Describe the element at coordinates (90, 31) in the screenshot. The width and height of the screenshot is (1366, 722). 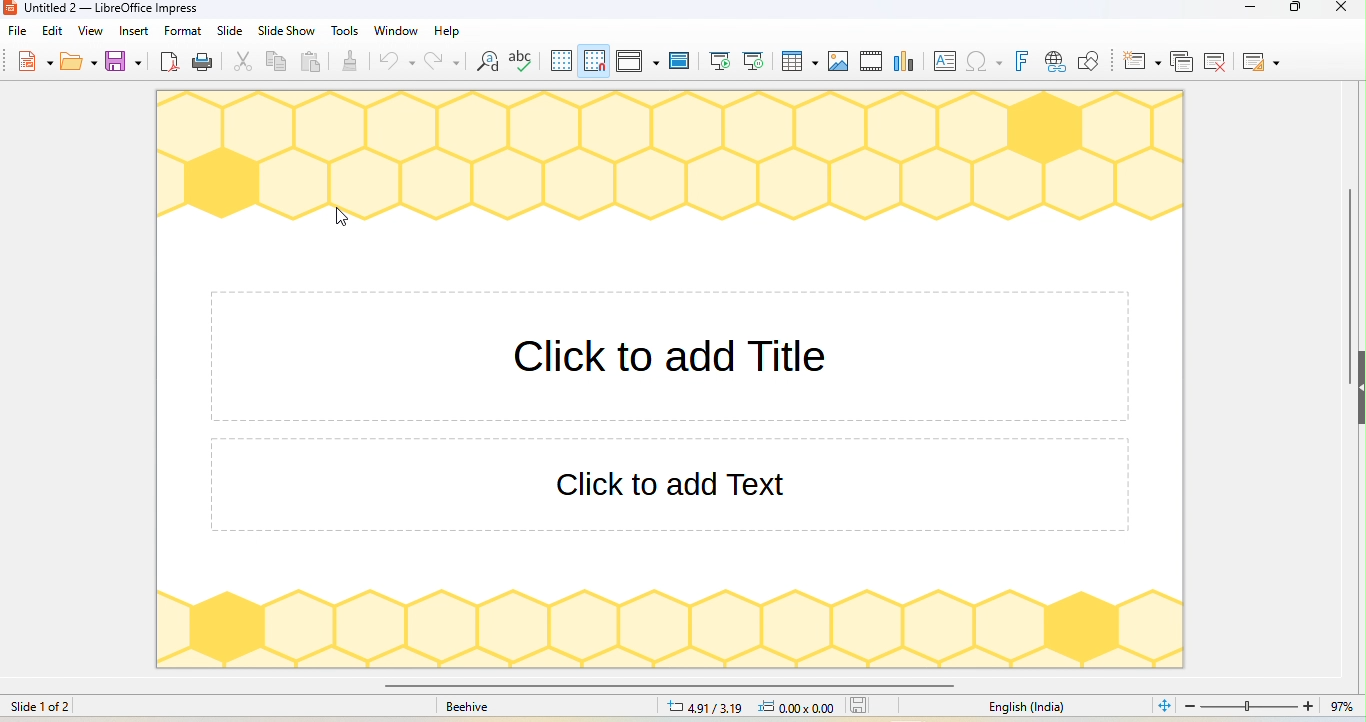
I see `view` at that location.